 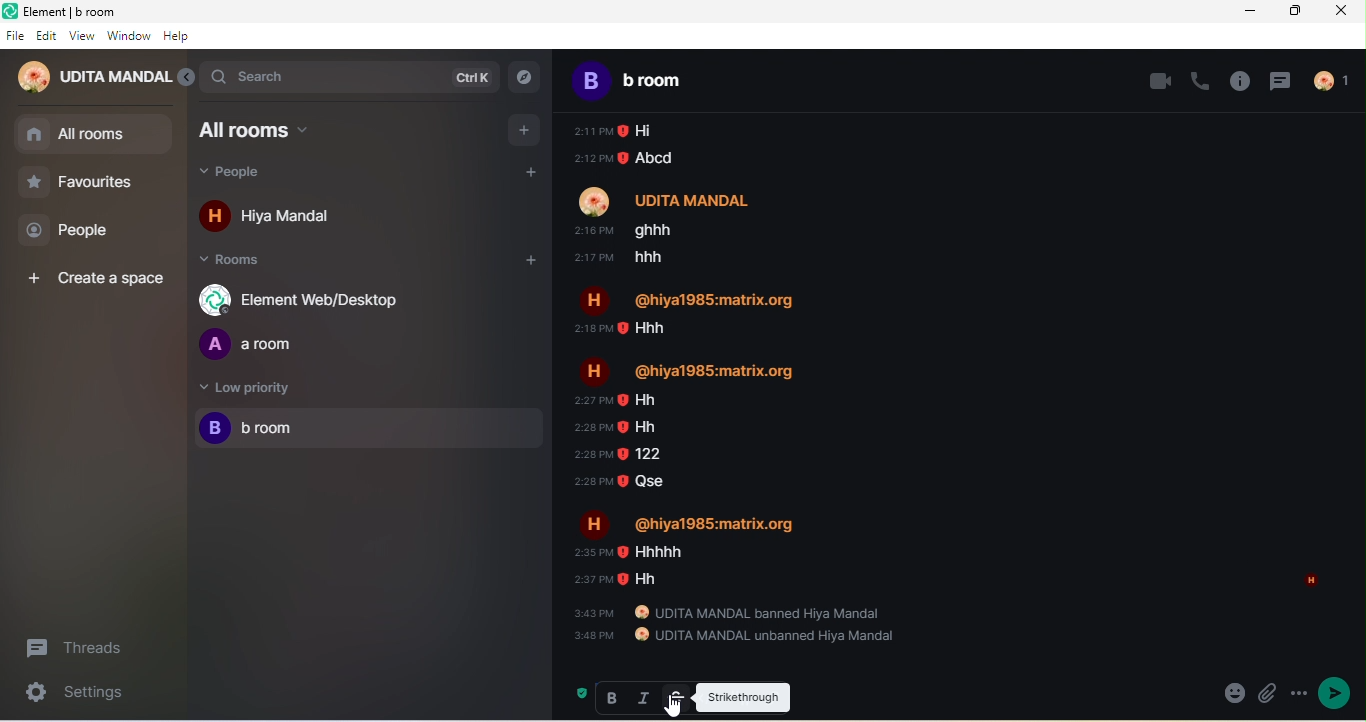 What do you see at coordinates (240, 263) in the screenshot?
I see `rooms` at bounding box center [240, 263].